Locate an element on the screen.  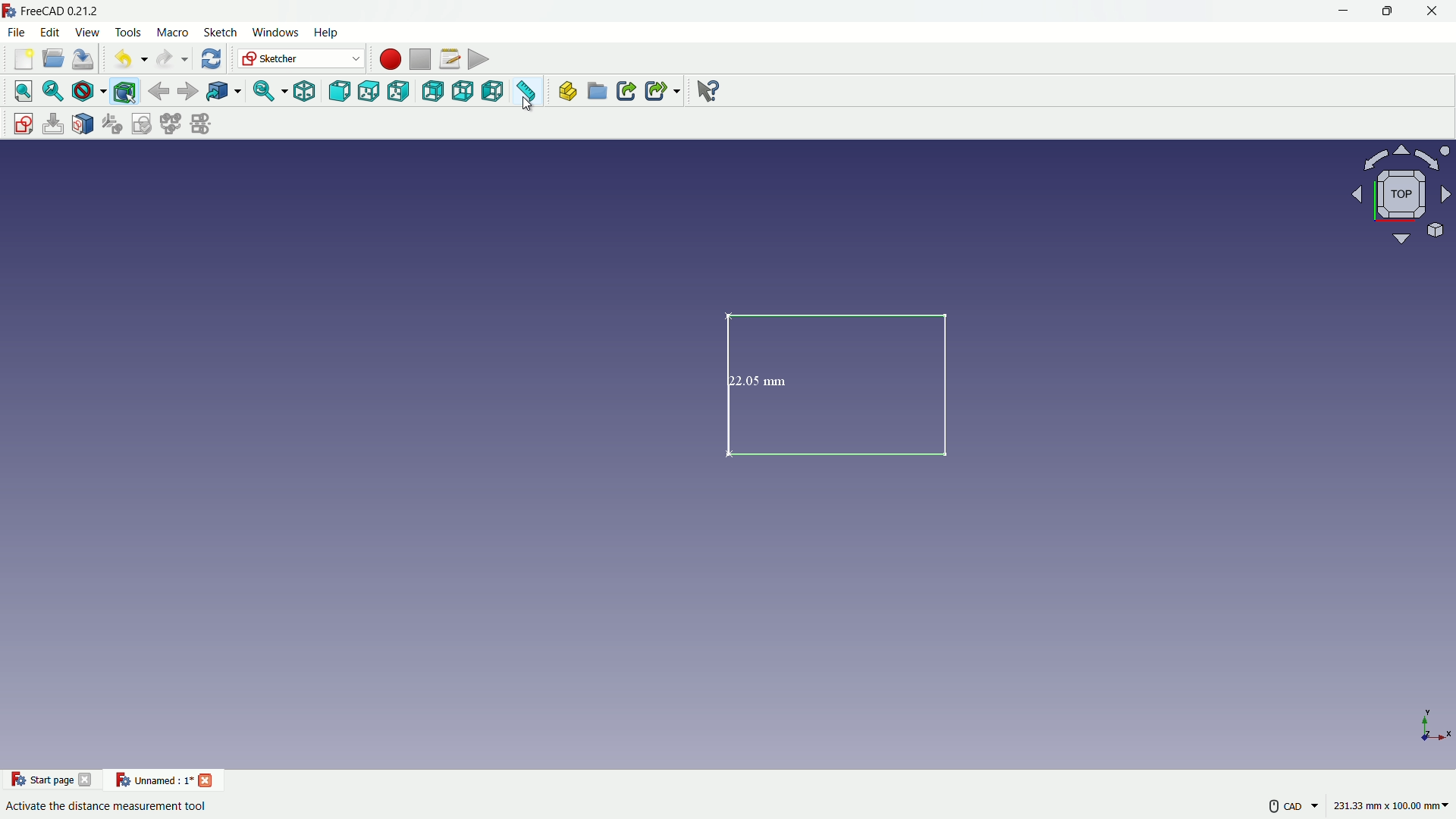
measure is located at coordinates (527, 88).